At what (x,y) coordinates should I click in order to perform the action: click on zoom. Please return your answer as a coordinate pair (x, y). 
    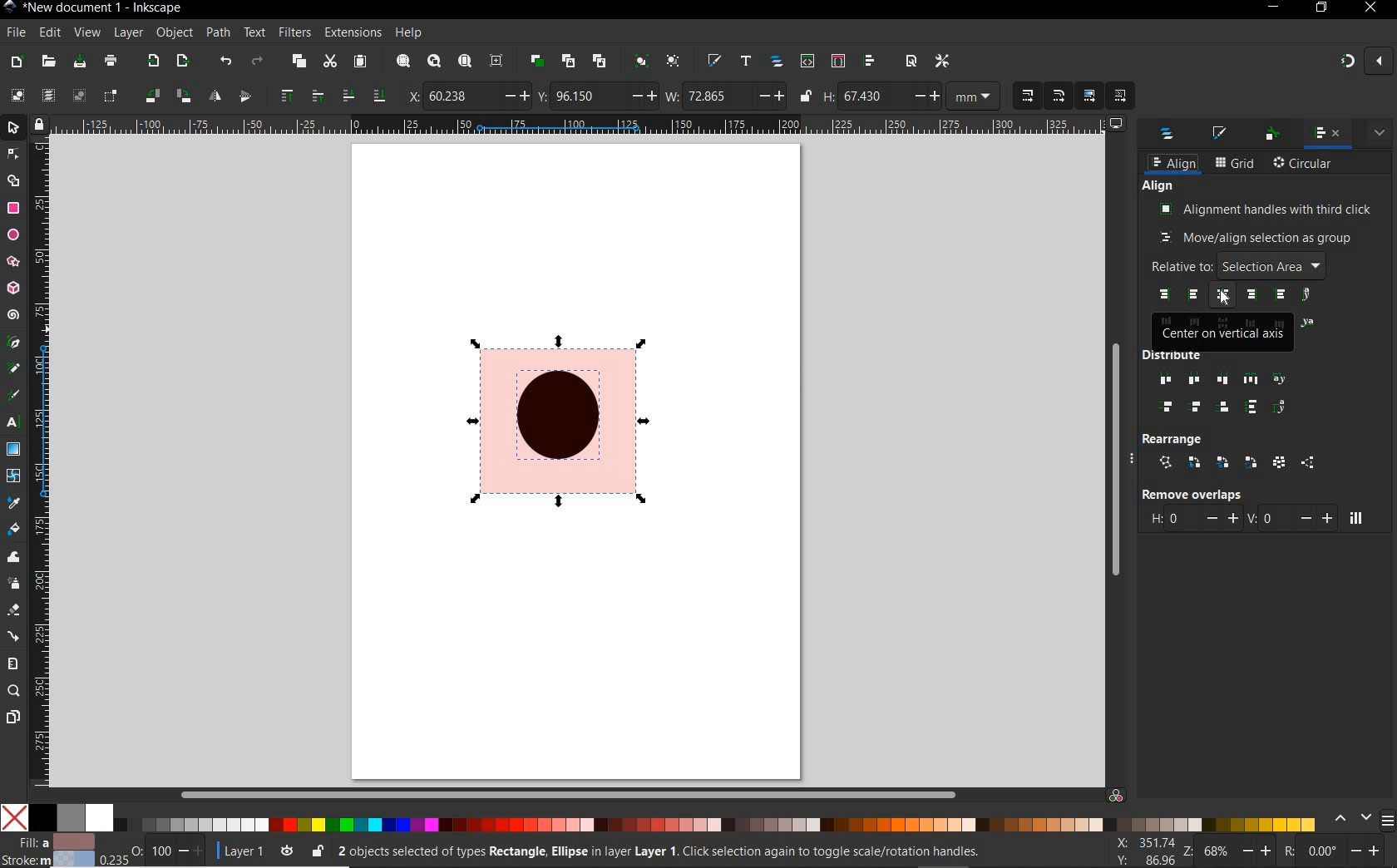
    Looking at the image, I should click on (1236, 853).